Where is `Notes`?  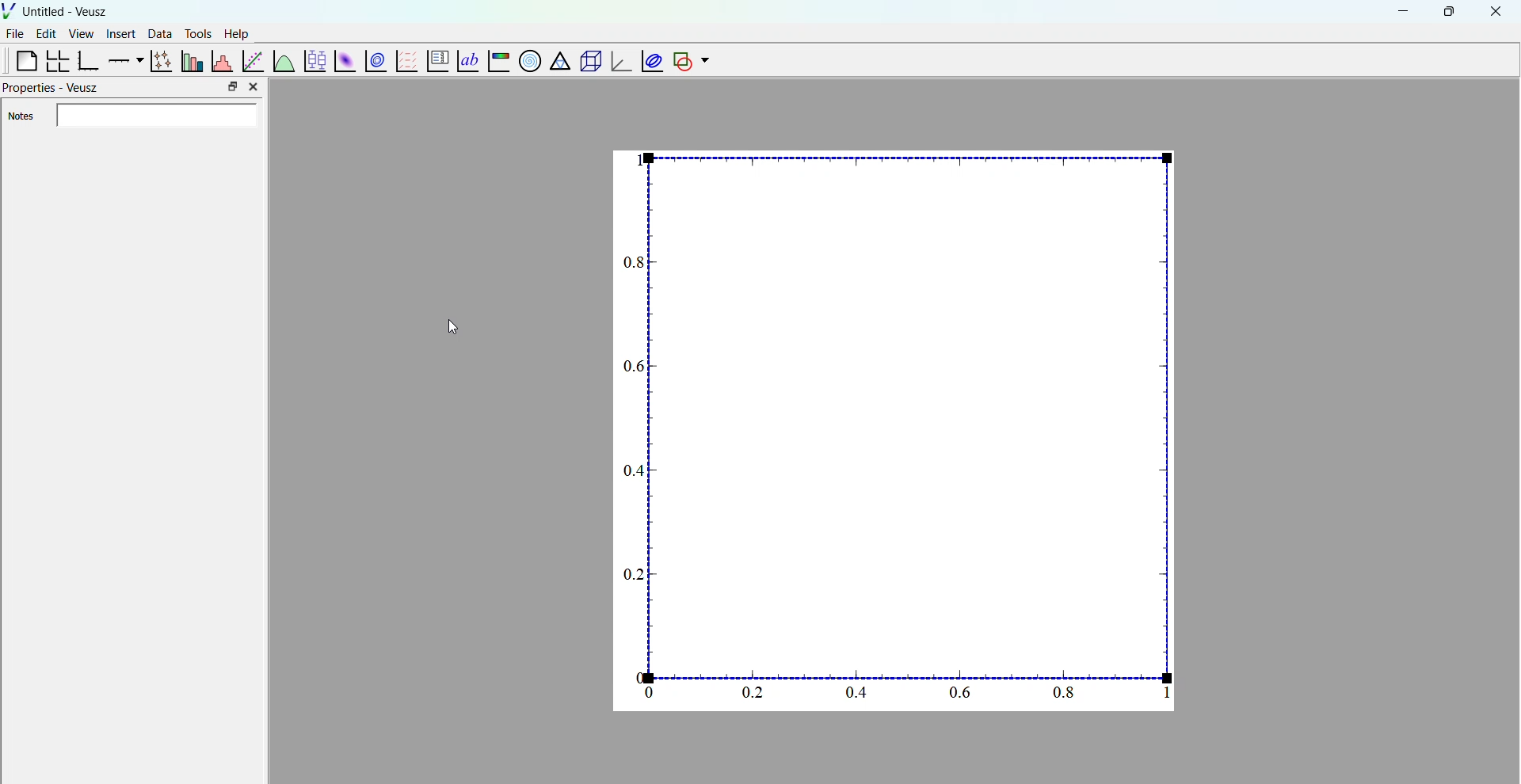 Notes is located at coordinates (135, 116).